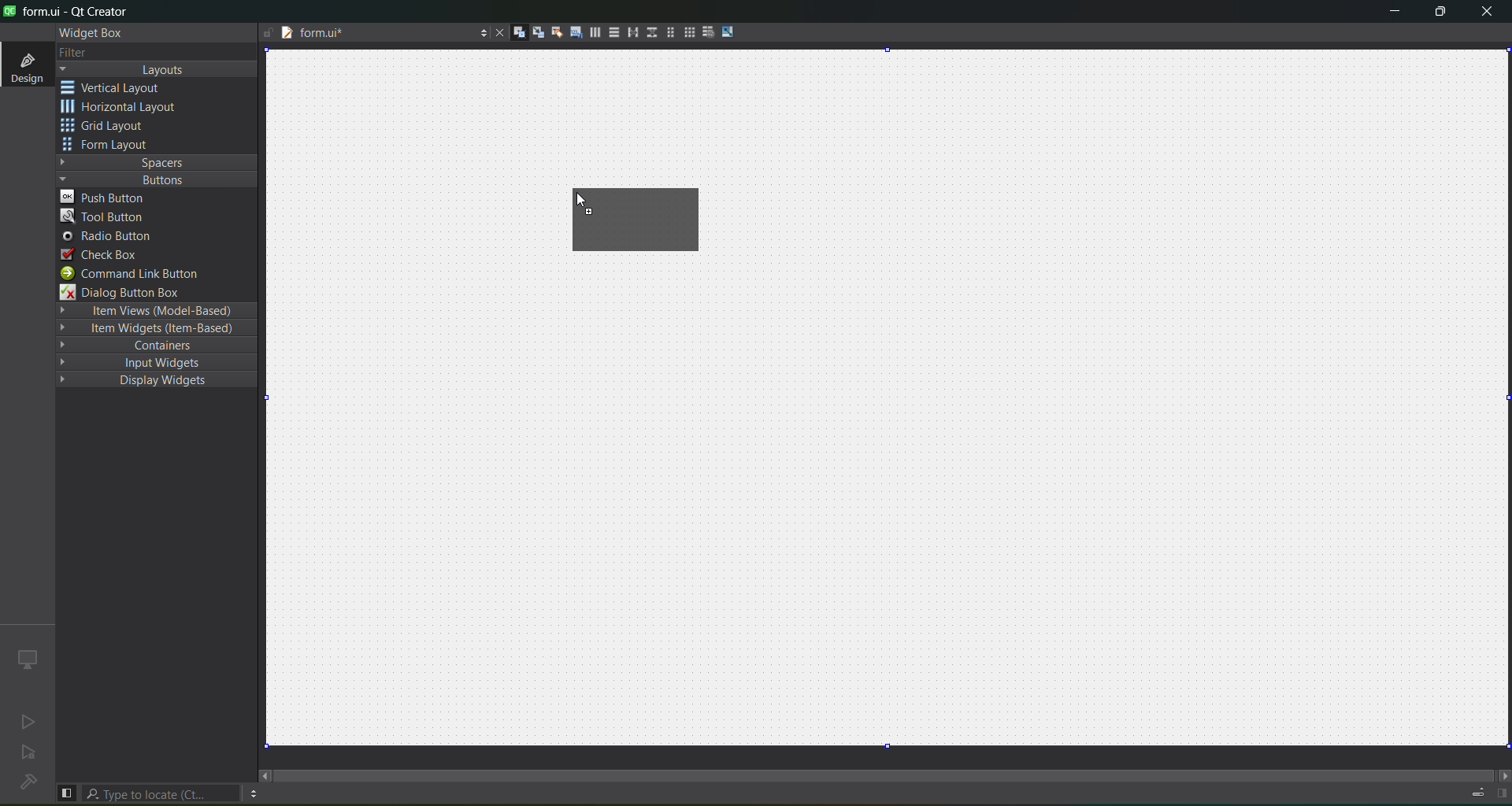 The width and height of the screenshot is (1512, 806). Describe the element at coordinates (159, 347) in the screenshot. I see `containers` at that location.